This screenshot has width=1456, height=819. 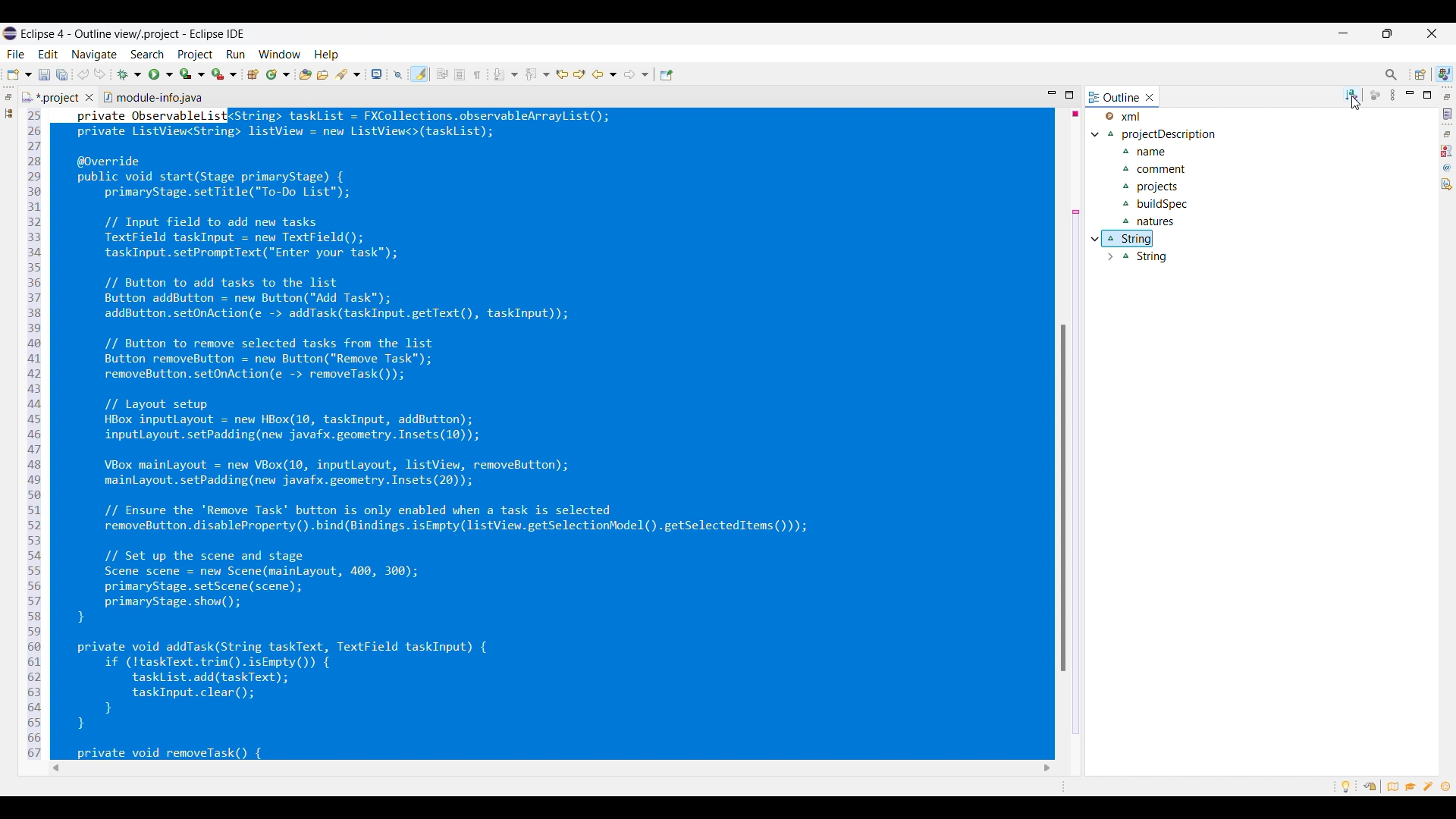 What do you see at coordinates (1426, 95) in the screenshot?
I see `Maximize` at bounding box center [1426, 95].